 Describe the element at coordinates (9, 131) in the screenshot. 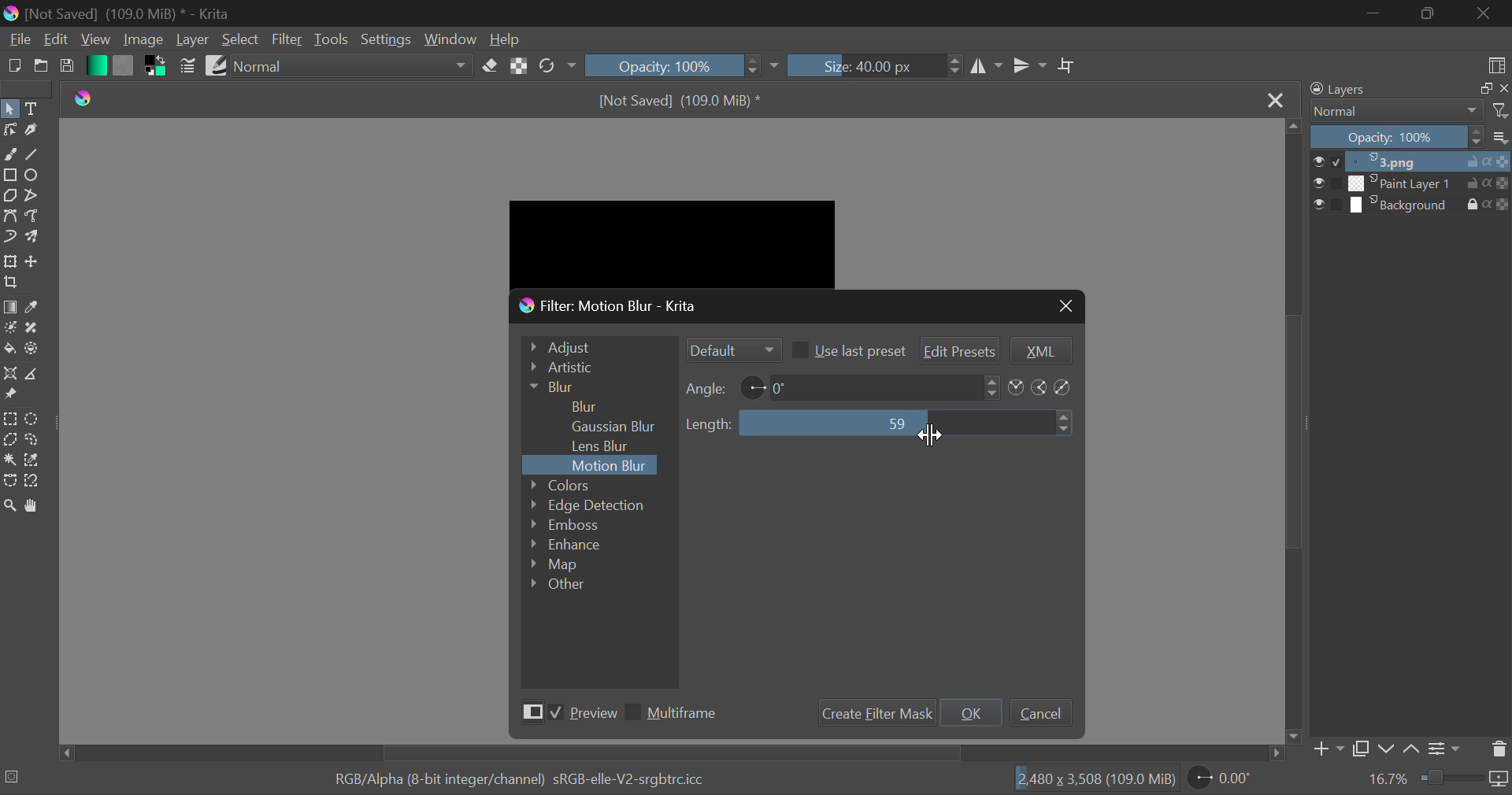

I see `Edit Shapes` at that location.